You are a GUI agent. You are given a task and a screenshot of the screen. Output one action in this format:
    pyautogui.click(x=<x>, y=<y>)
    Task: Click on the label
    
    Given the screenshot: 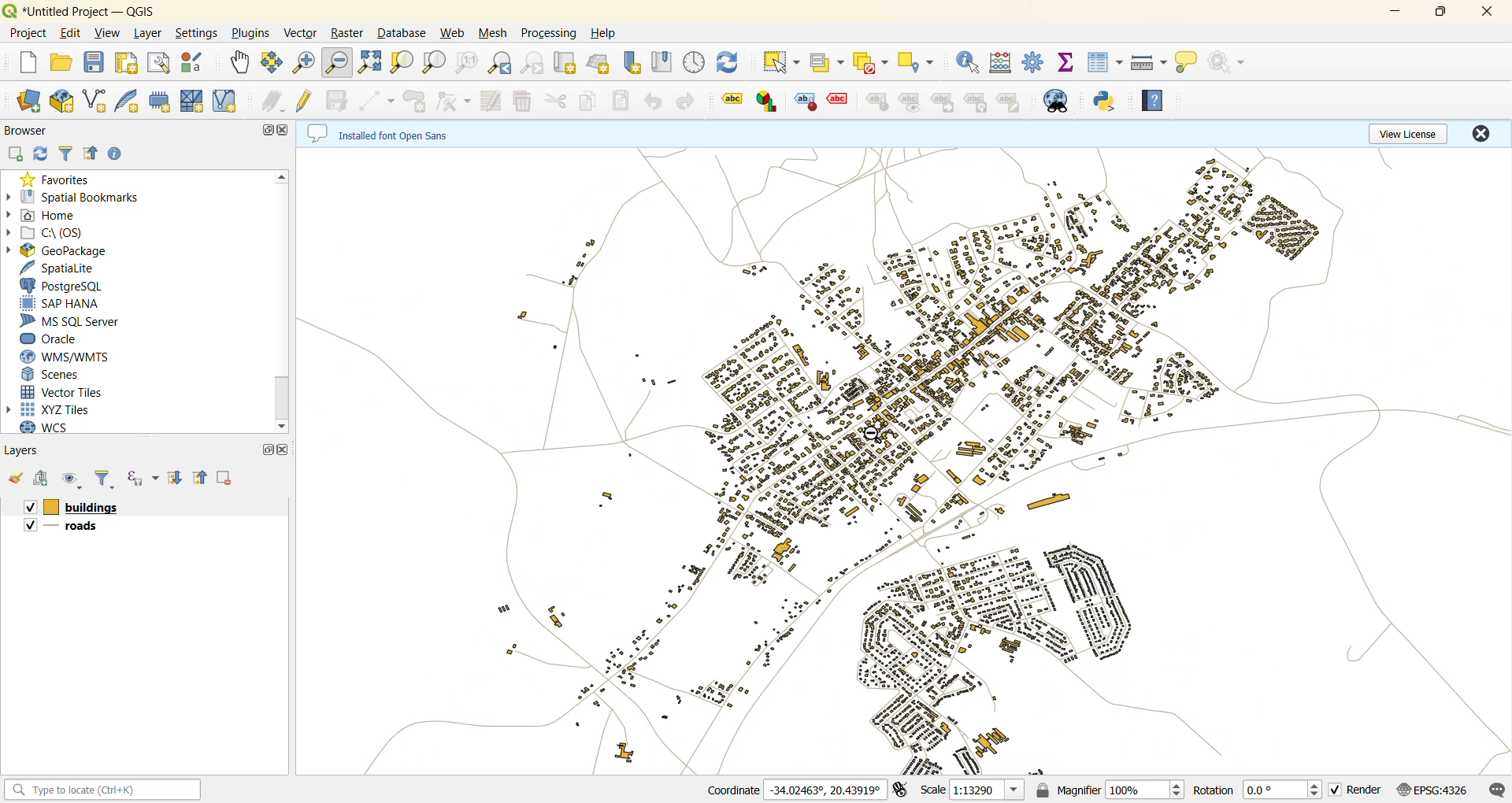 What is the action you would take?
    pyautogui.click(x=768, y=103)
    